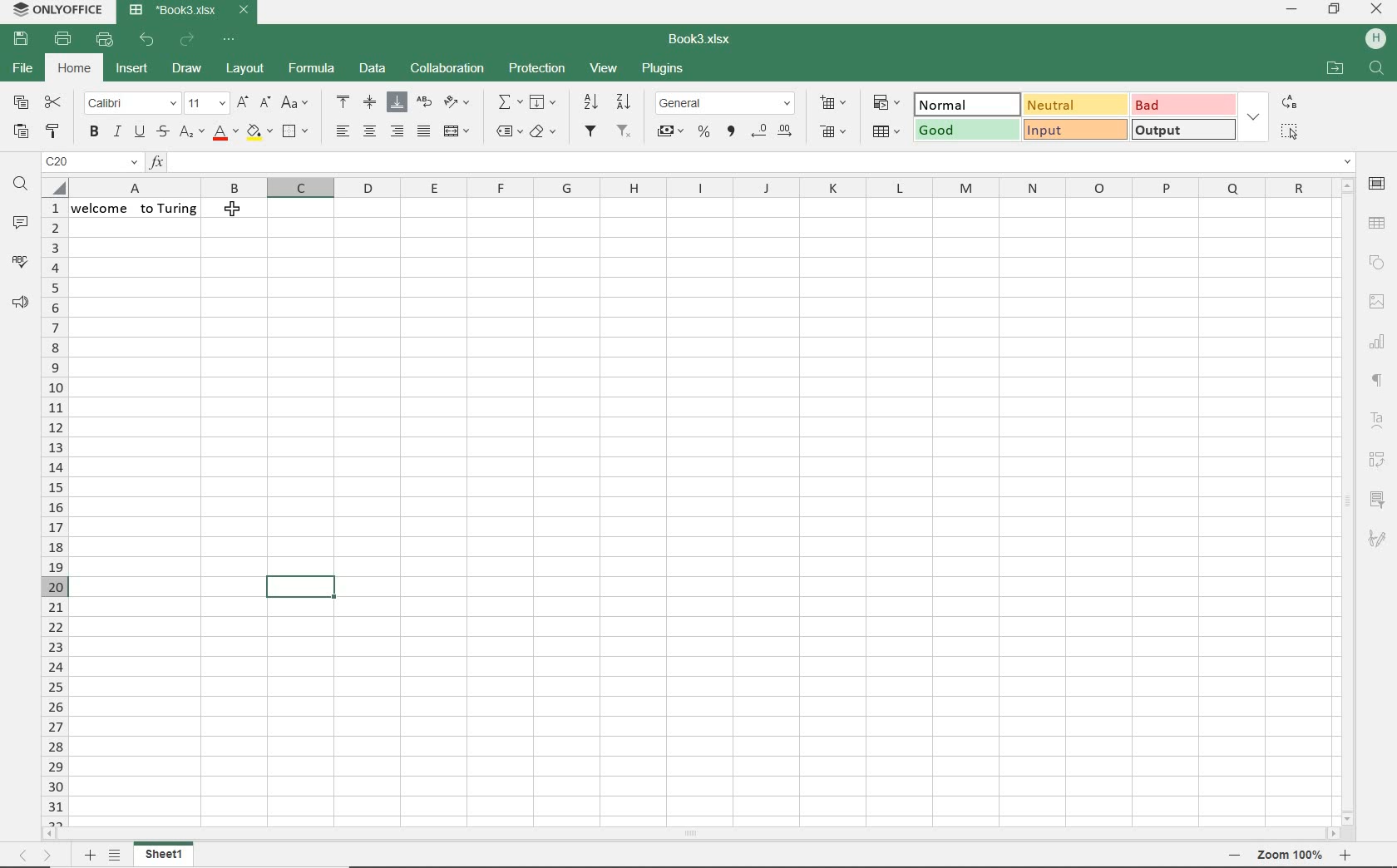 The image size is (1397, 868). Describe the element at coordinates (225, 132) in the screenshot. I see `font color` at that location.